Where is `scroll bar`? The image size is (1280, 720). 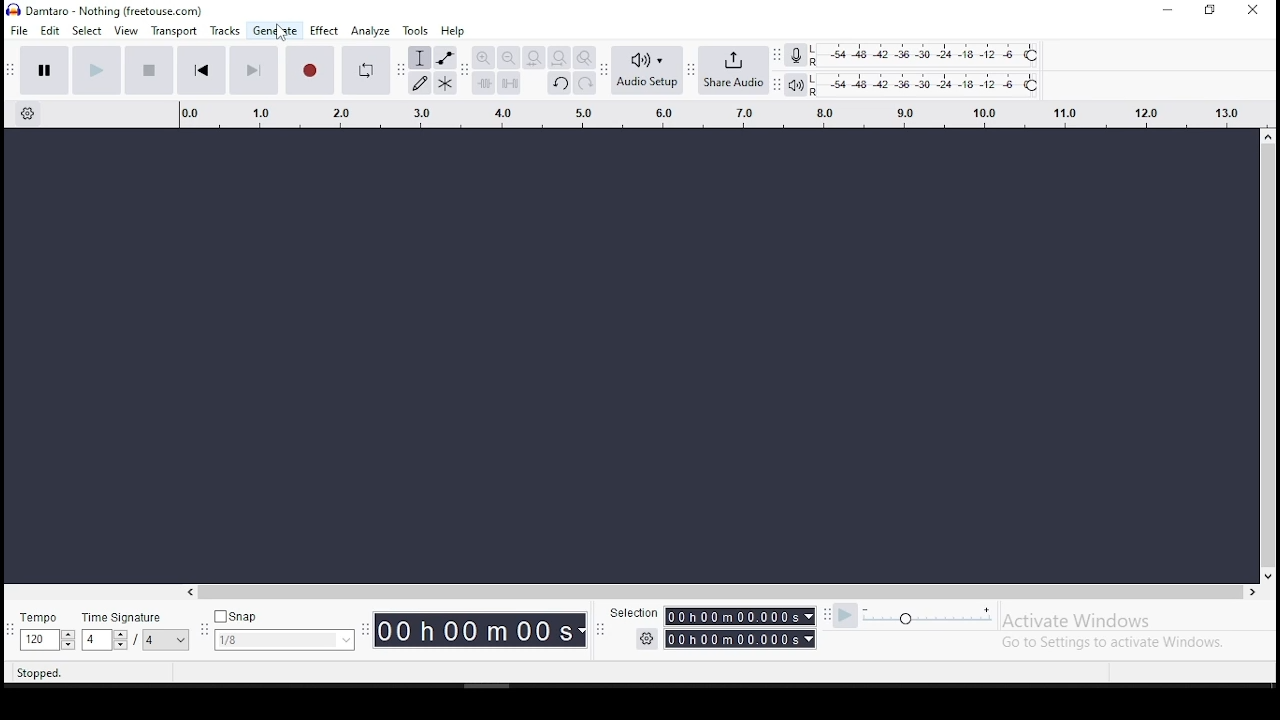 scroll bar is located at coordinates (1268, 356).